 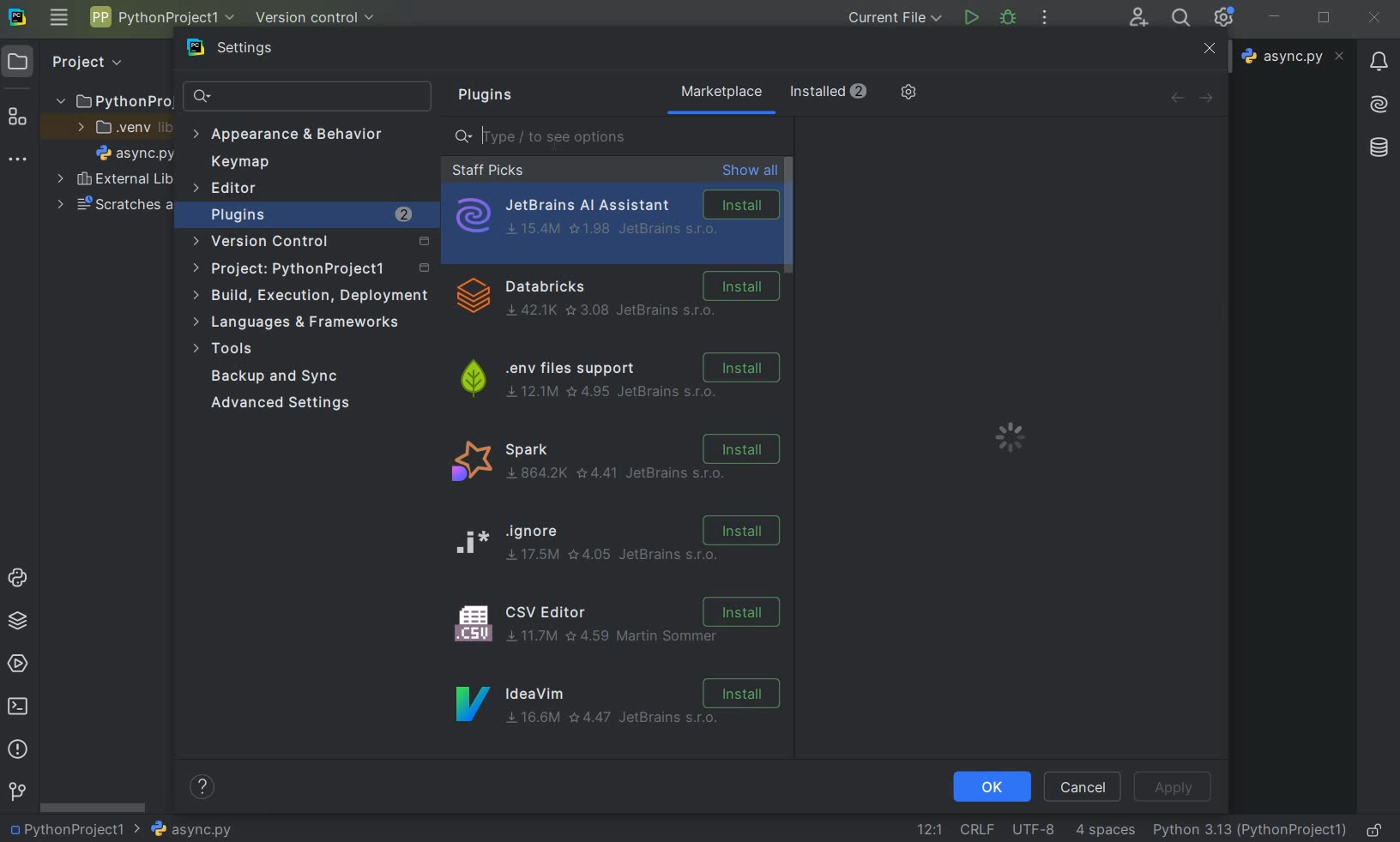 What do you see at coordinates (311, 297) in the screenshot?
I see `build, execution, deployment` at bounding box center [311, 297].